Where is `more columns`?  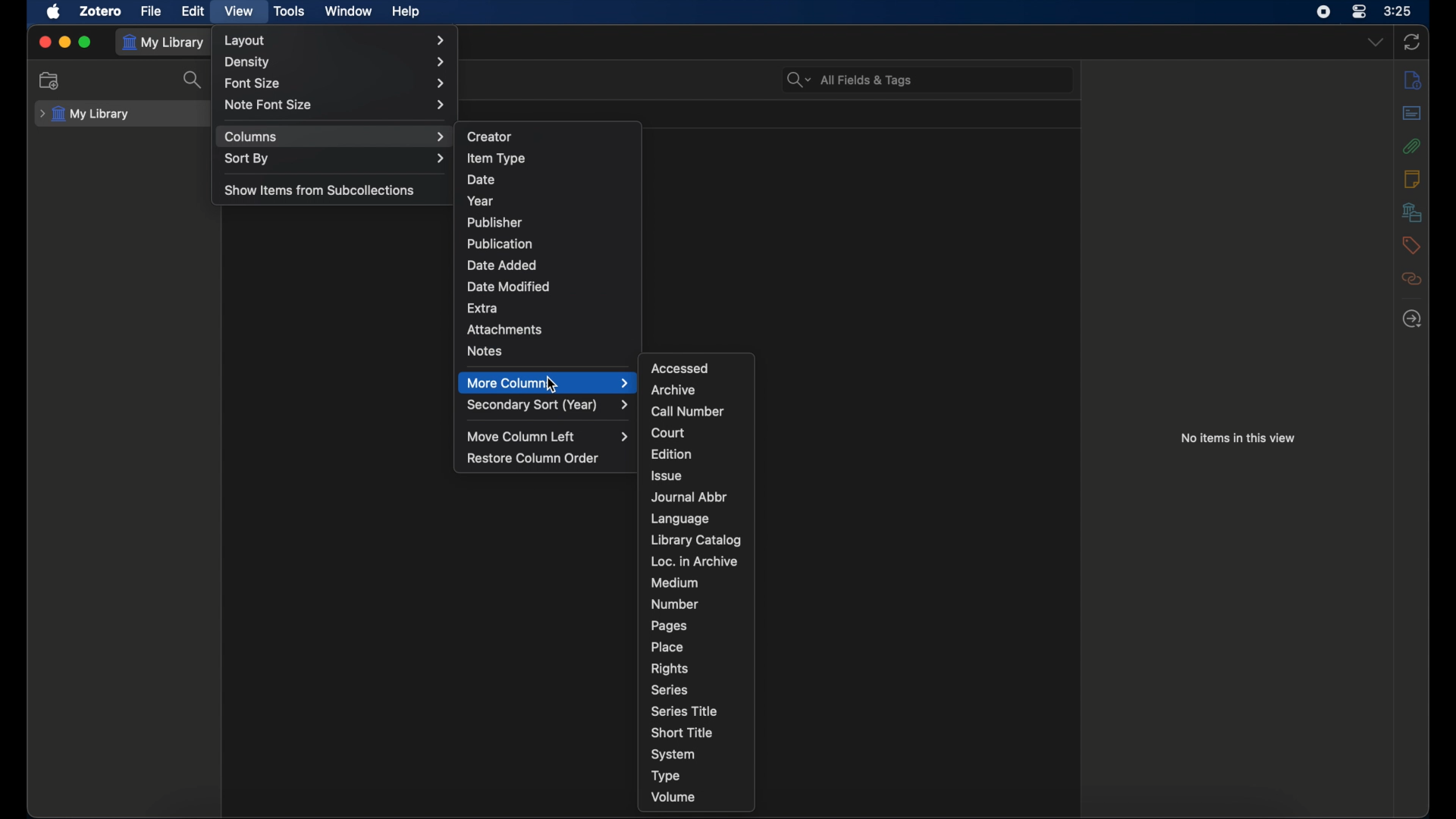
more columns is located at coordinates (548, 383).